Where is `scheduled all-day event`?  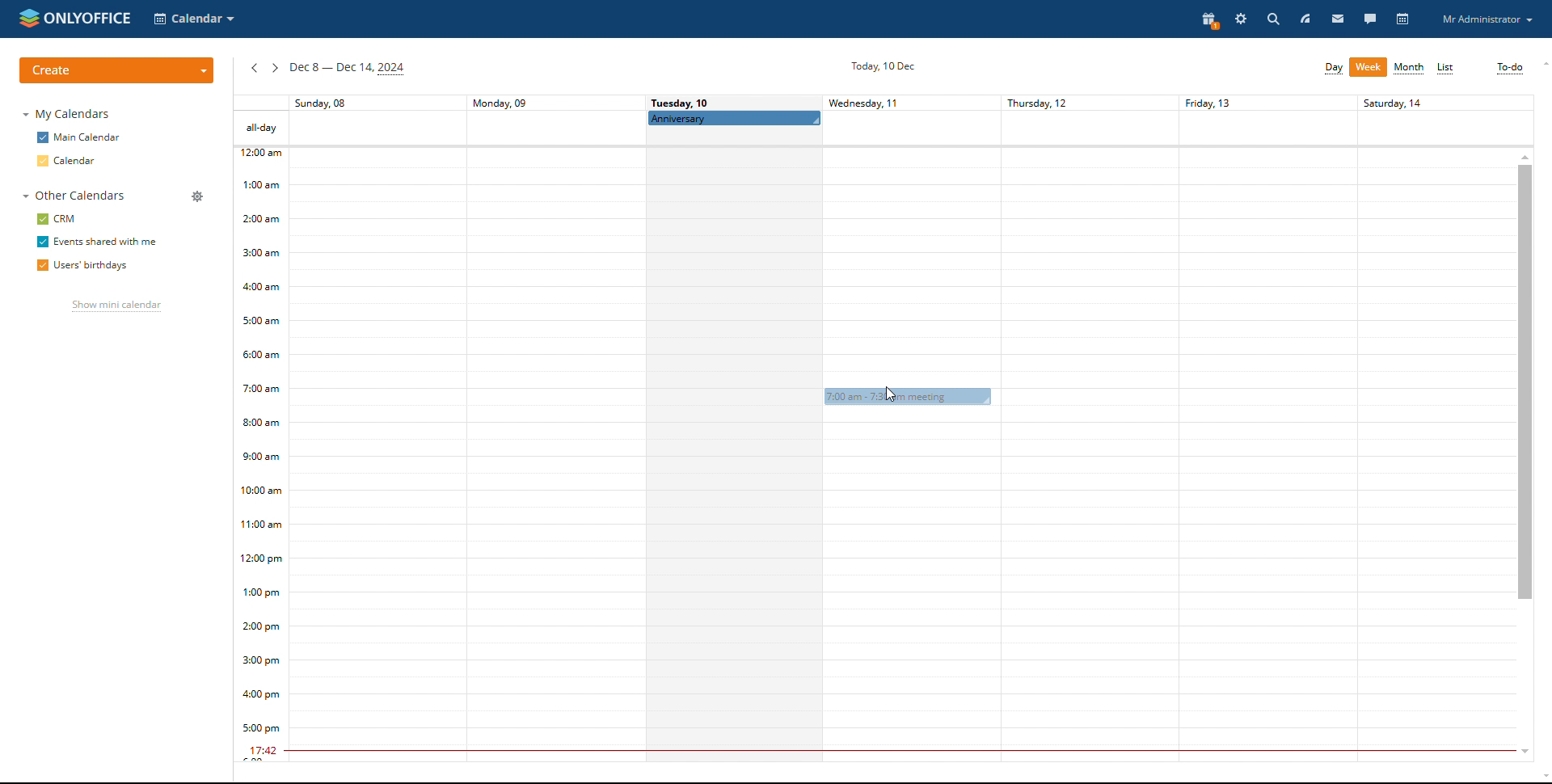 scheduled all-day event is located at coordinates (735, 118).